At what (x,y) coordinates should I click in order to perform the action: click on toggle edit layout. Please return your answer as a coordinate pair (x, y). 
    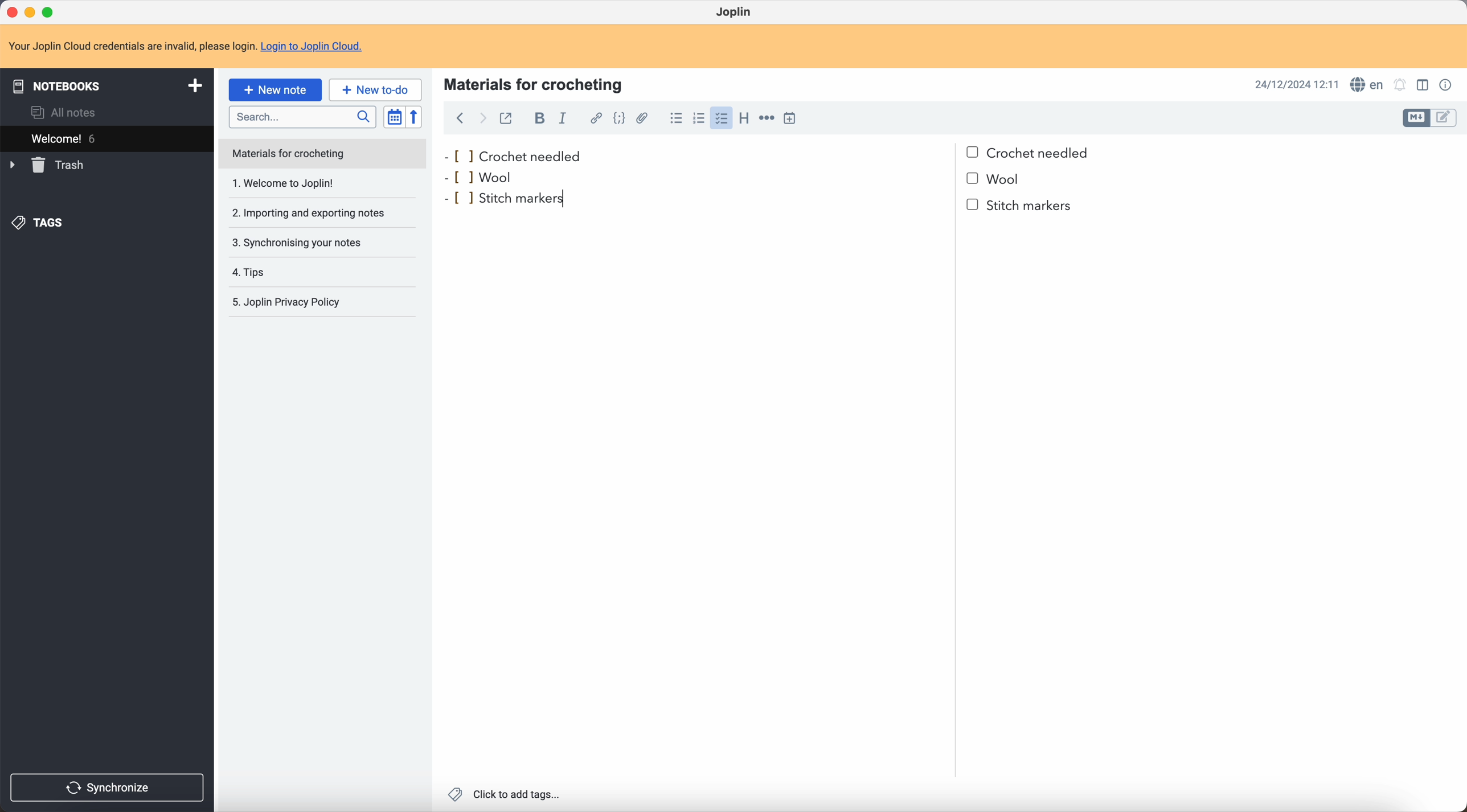
    Looking at the image, I should click on (1424, 84).